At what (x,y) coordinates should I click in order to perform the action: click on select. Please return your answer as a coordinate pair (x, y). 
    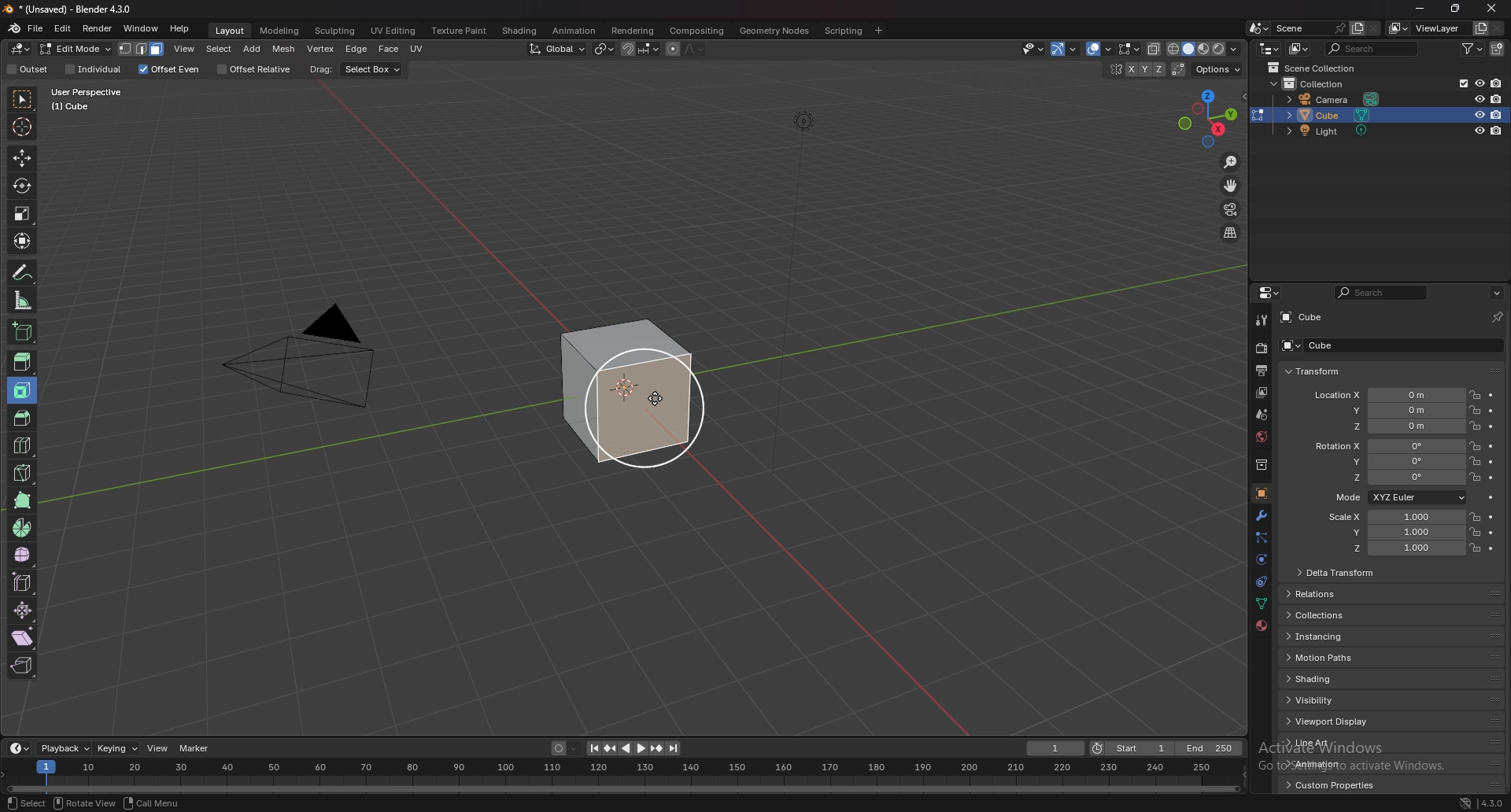
    Looking at the image, I should click on (219, 49).